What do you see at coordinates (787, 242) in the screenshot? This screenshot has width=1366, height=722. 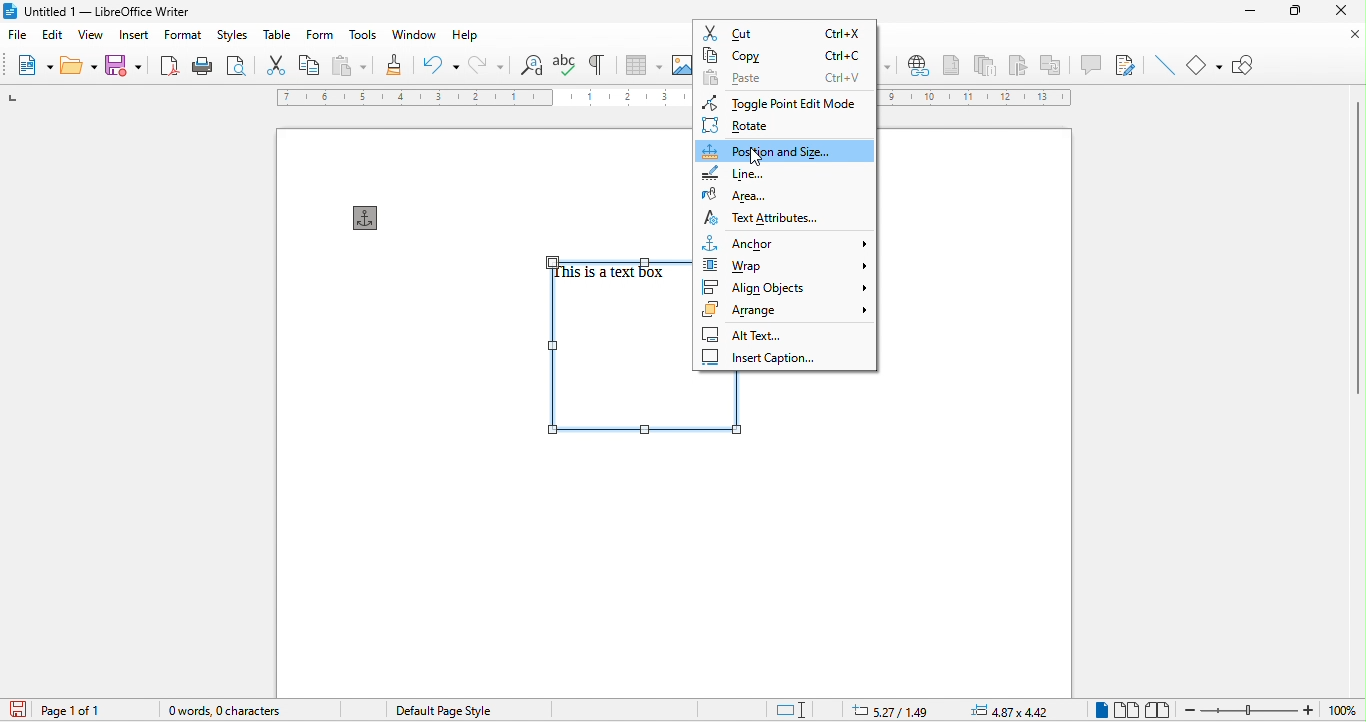 I see `anchor` at bounding box center [787, 242].